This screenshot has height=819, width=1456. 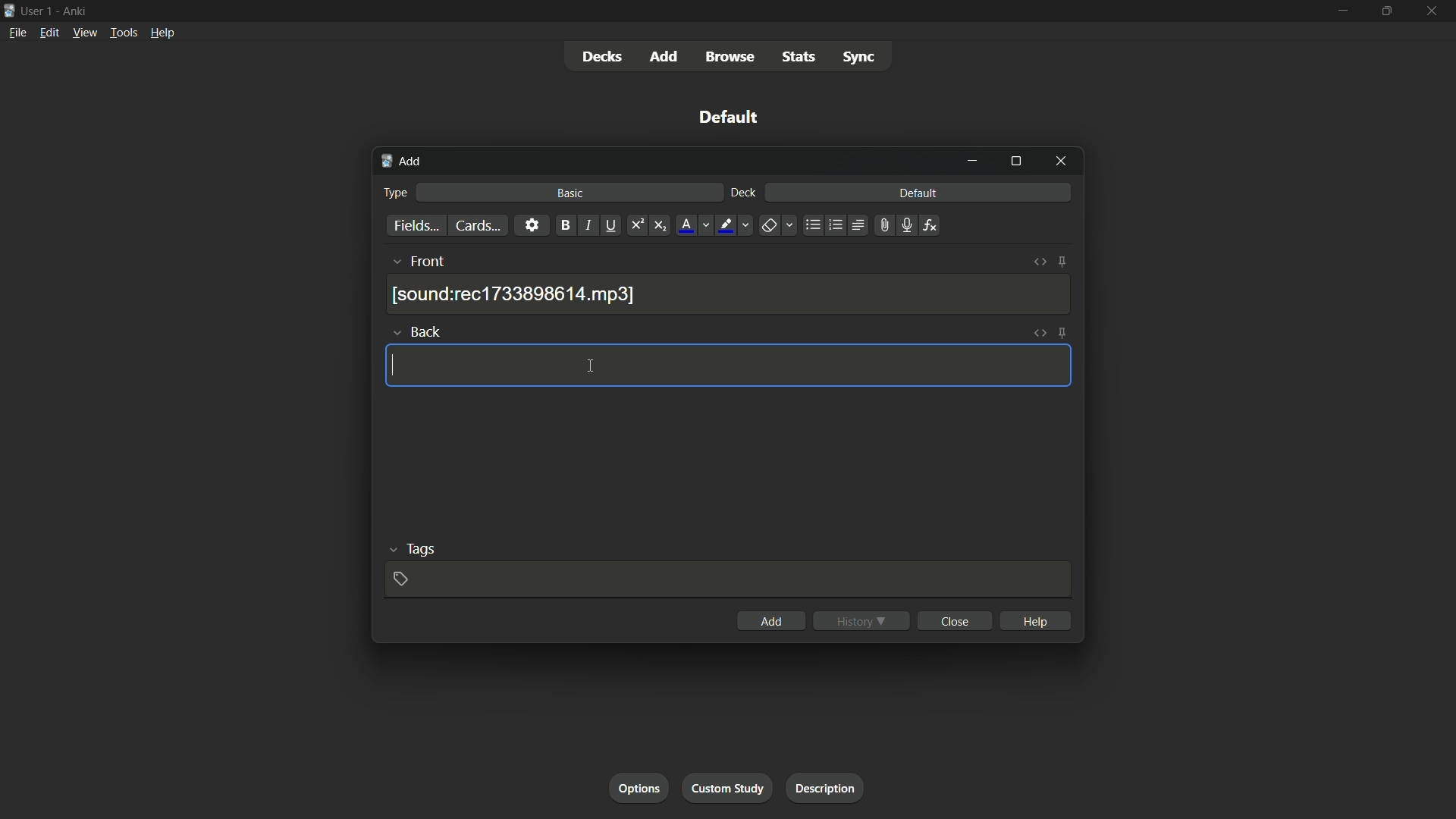 I want to click on unordered list, so click(x=812, y=225).